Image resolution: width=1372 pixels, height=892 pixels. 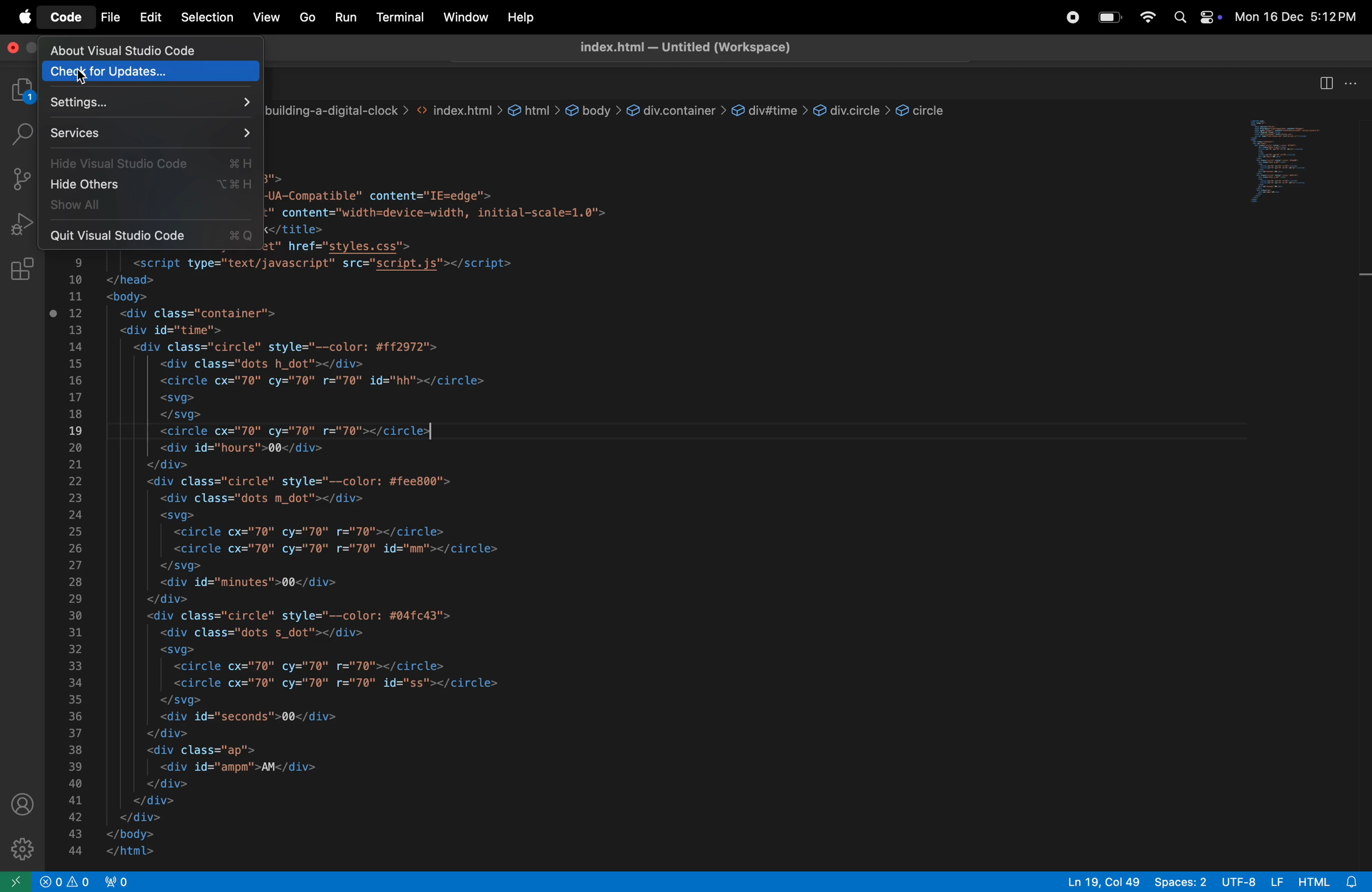 What do you see at coordinates (18, 880) in the screenshot?
I see `open remote window` at bounding box center [18, 880].